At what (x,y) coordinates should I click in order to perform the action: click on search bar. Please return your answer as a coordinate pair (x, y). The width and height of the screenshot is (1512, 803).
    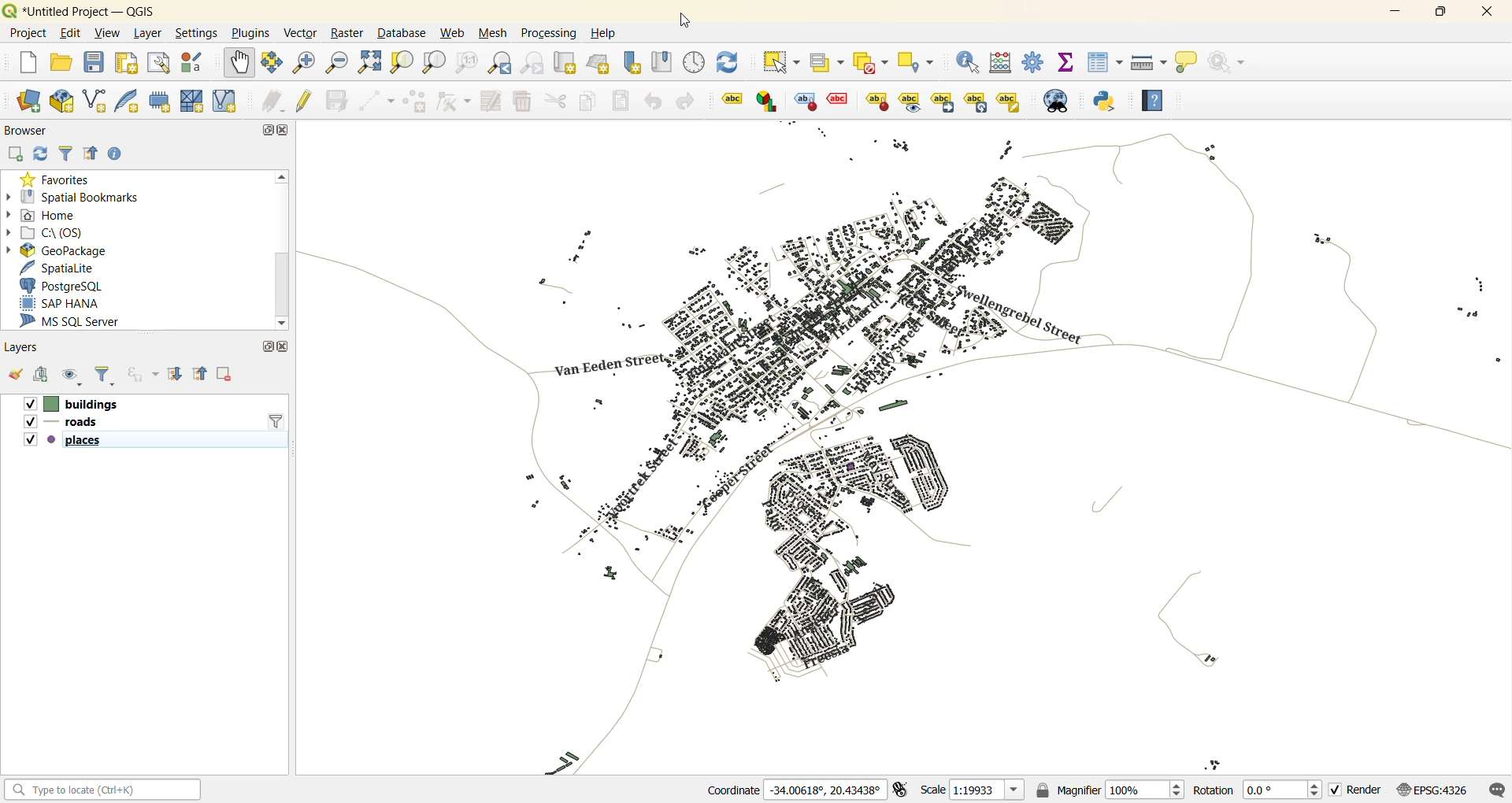
    Looking at the image, I should click on (105, 791).